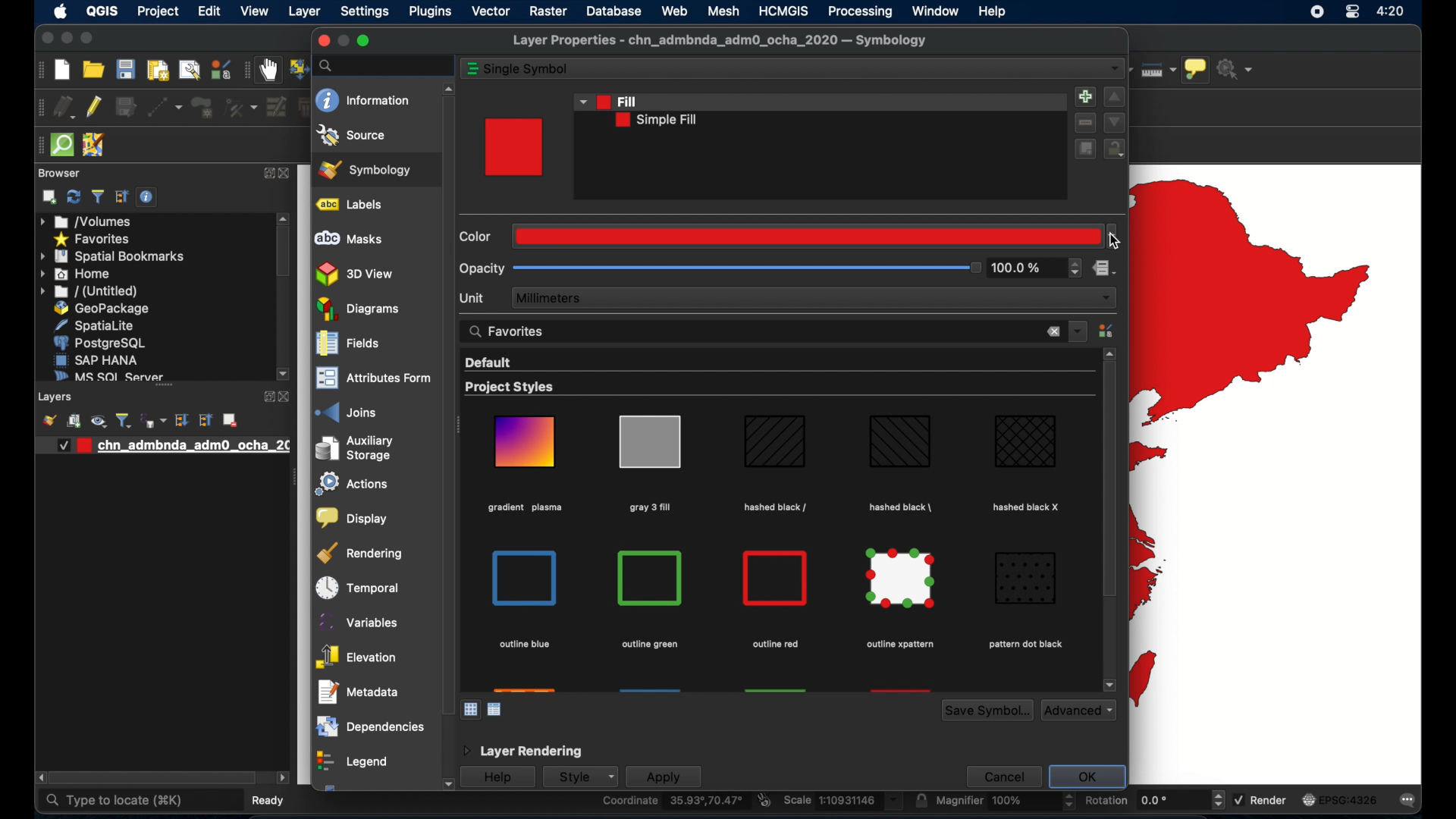 This screenshot has width=1456, height=819. Describe the element at coordinates (102, 309) in the screenshot. I see `geopackage` at that location.